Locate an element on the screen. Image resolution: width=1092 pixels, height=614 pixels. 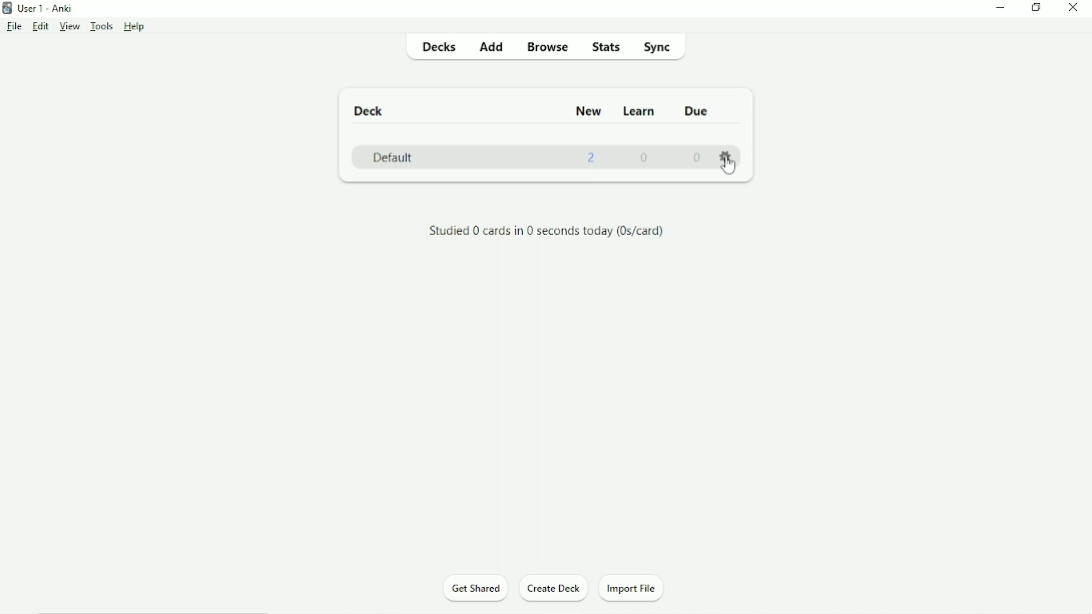
Browse is located at coordinates (549, 49).